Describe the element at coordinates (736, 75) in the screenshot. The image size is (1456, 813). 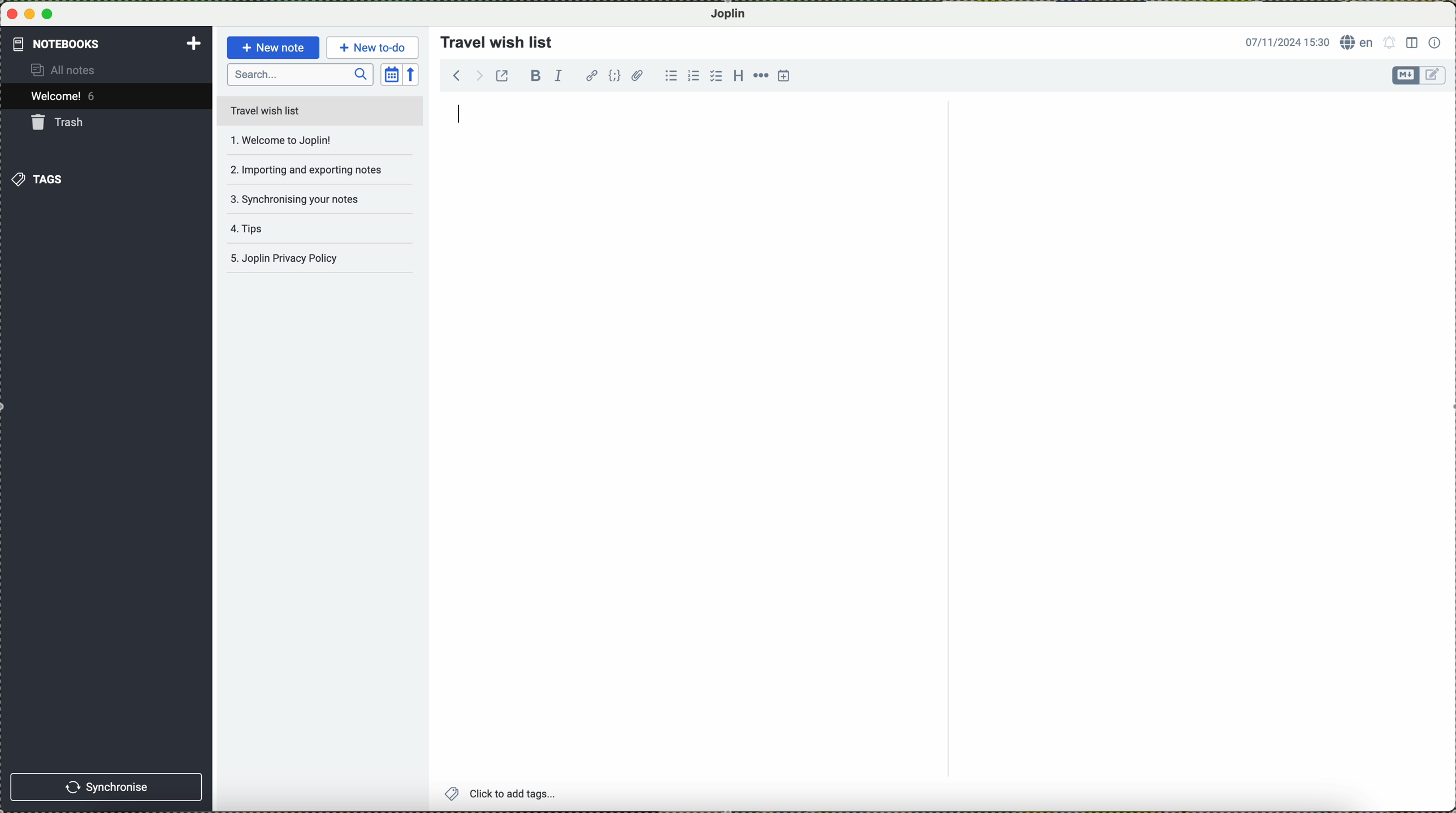
I see `heading` at that location.